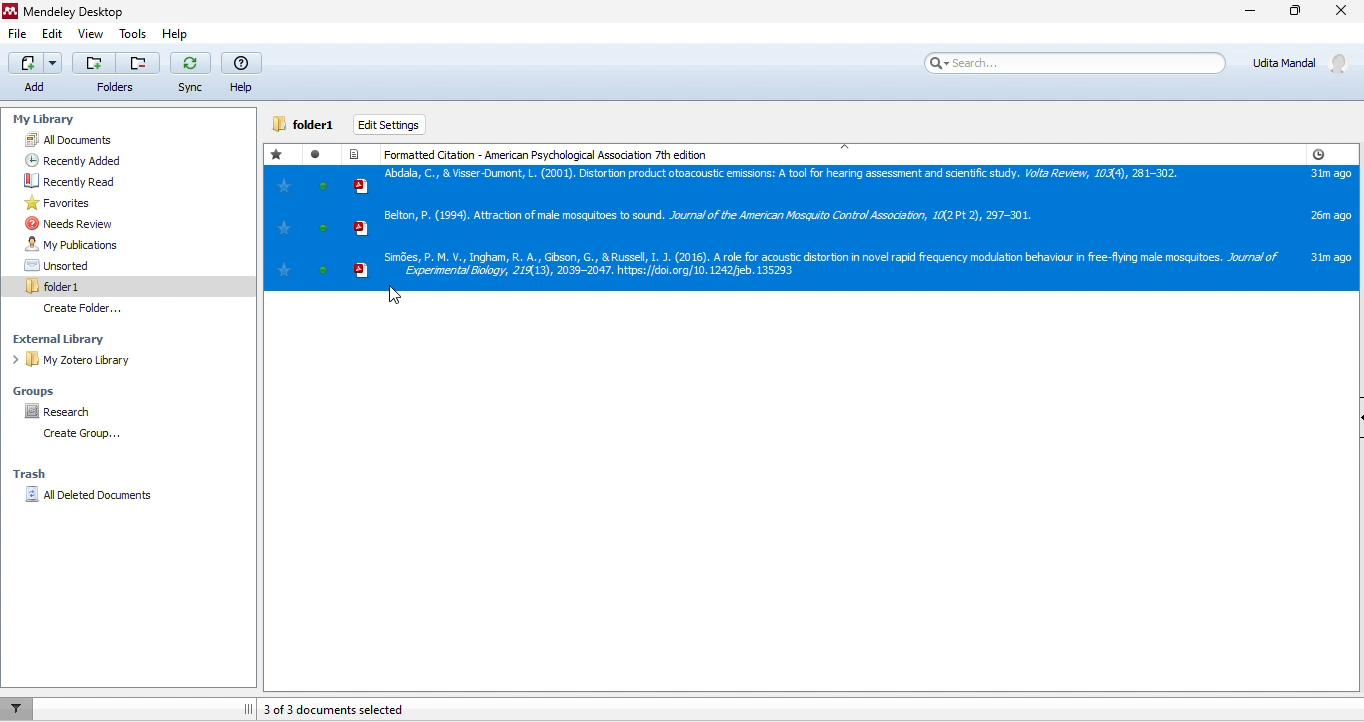 The image size is (1364, 722). What do you see at coordinates (32, 72) in the screenshot?
I see `add` at bounding box center [32, 72].